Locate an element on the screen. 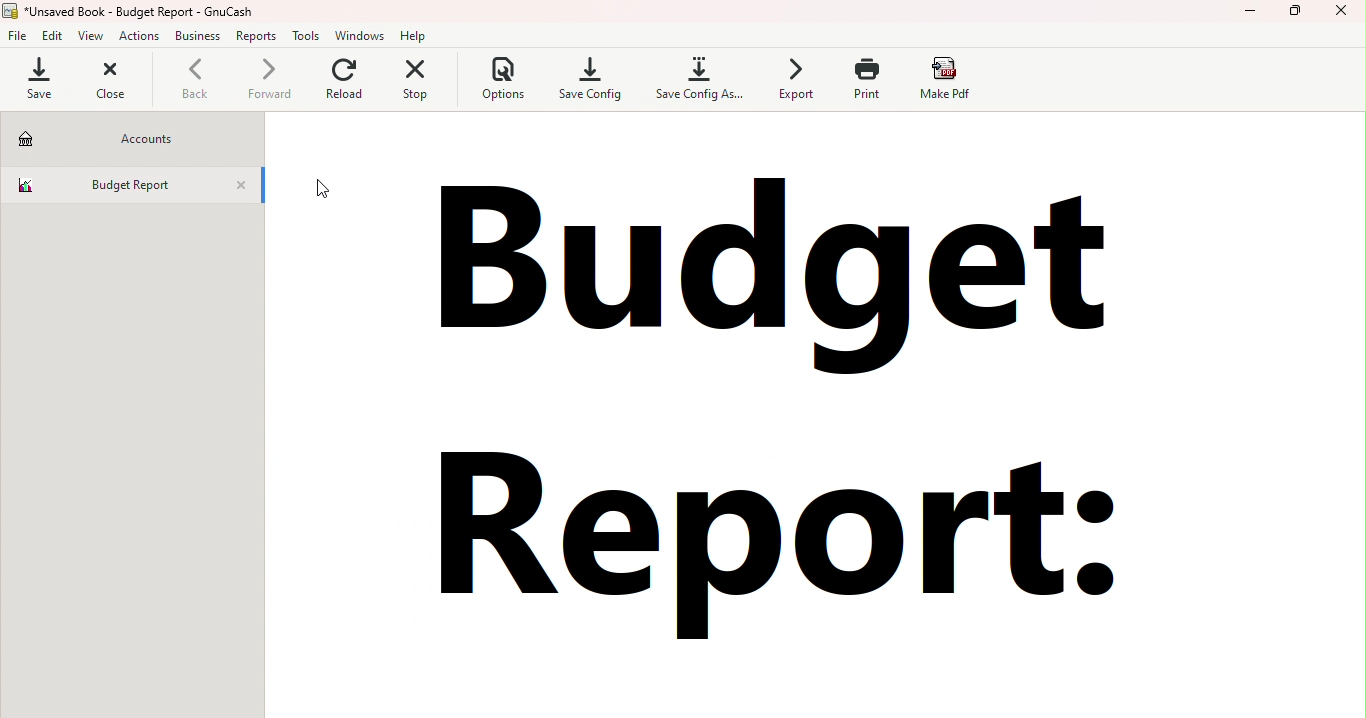 The height and width of the screenshot is (718, 1366). Minimize is located at coordinates (1251, 15).